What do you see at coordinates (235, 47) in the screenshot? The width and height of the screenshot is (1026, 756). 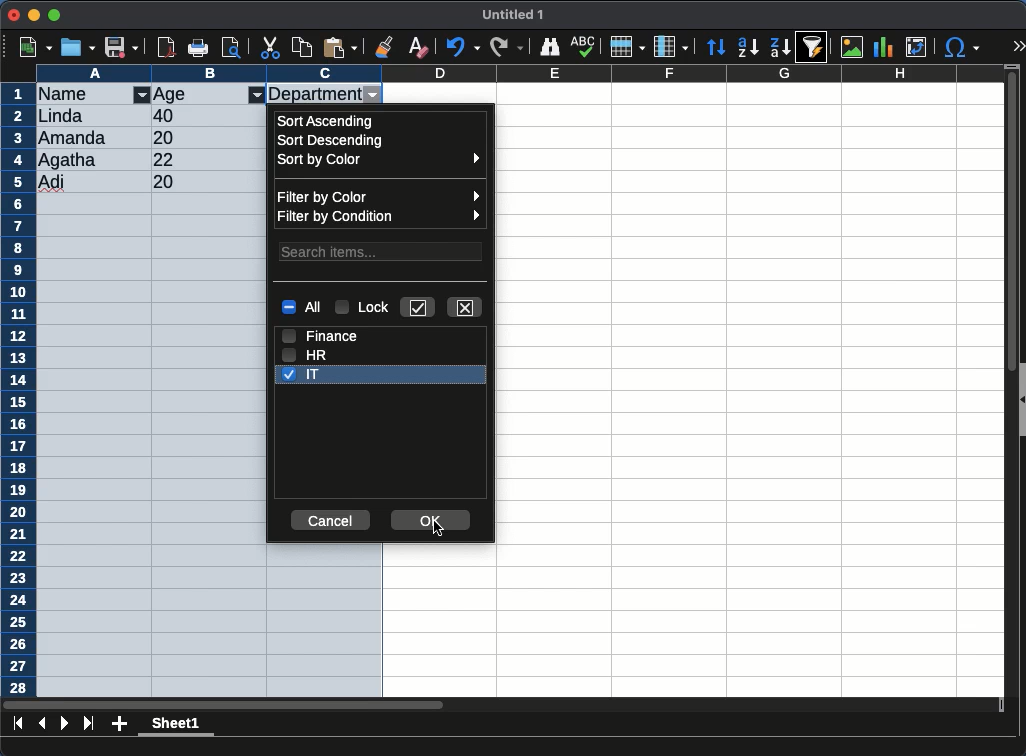 I see `page preview` at bounding box center [235, 47].